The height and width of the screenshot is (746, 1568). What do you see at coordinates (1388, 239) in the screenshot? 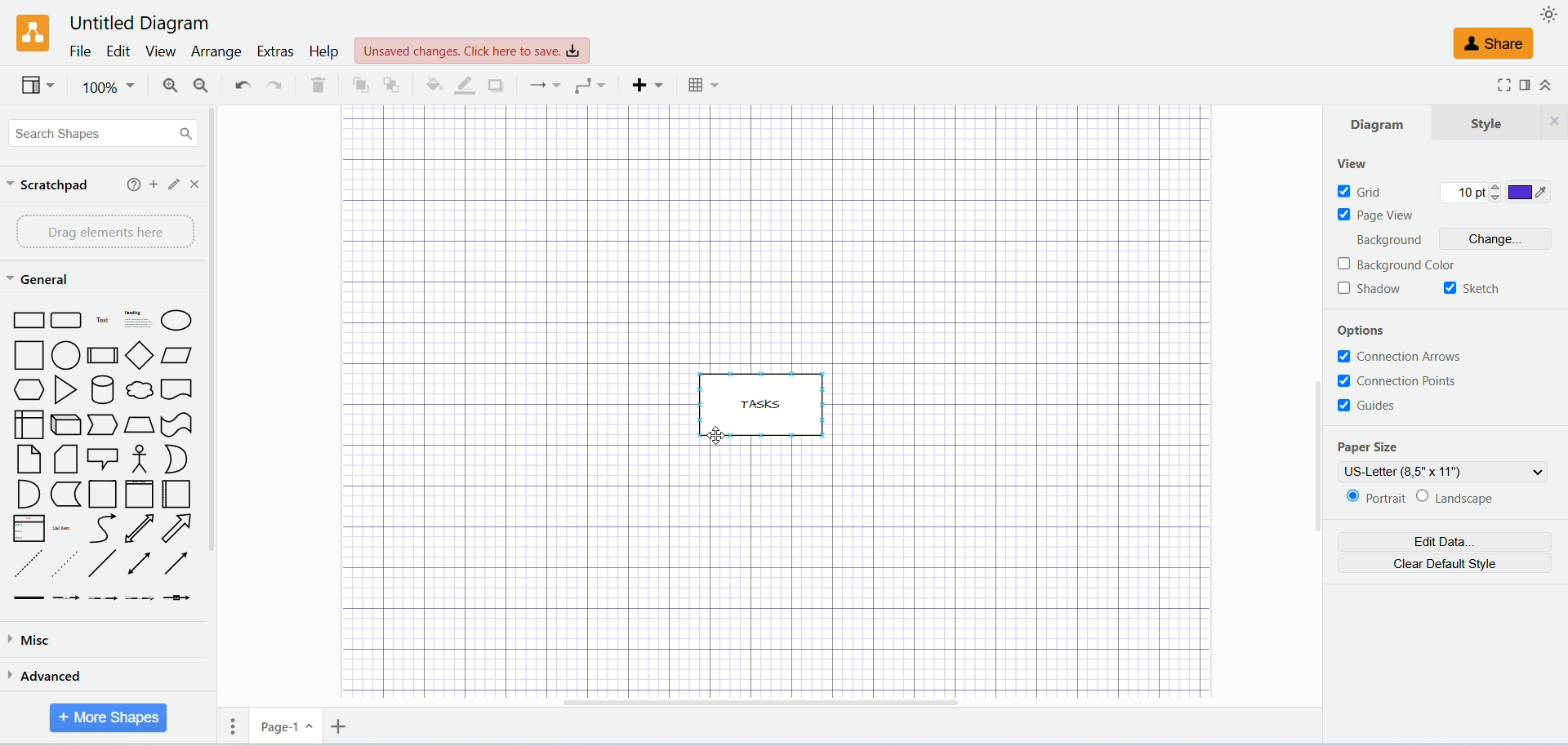
I see `background` at bounding box center [1388, 239].